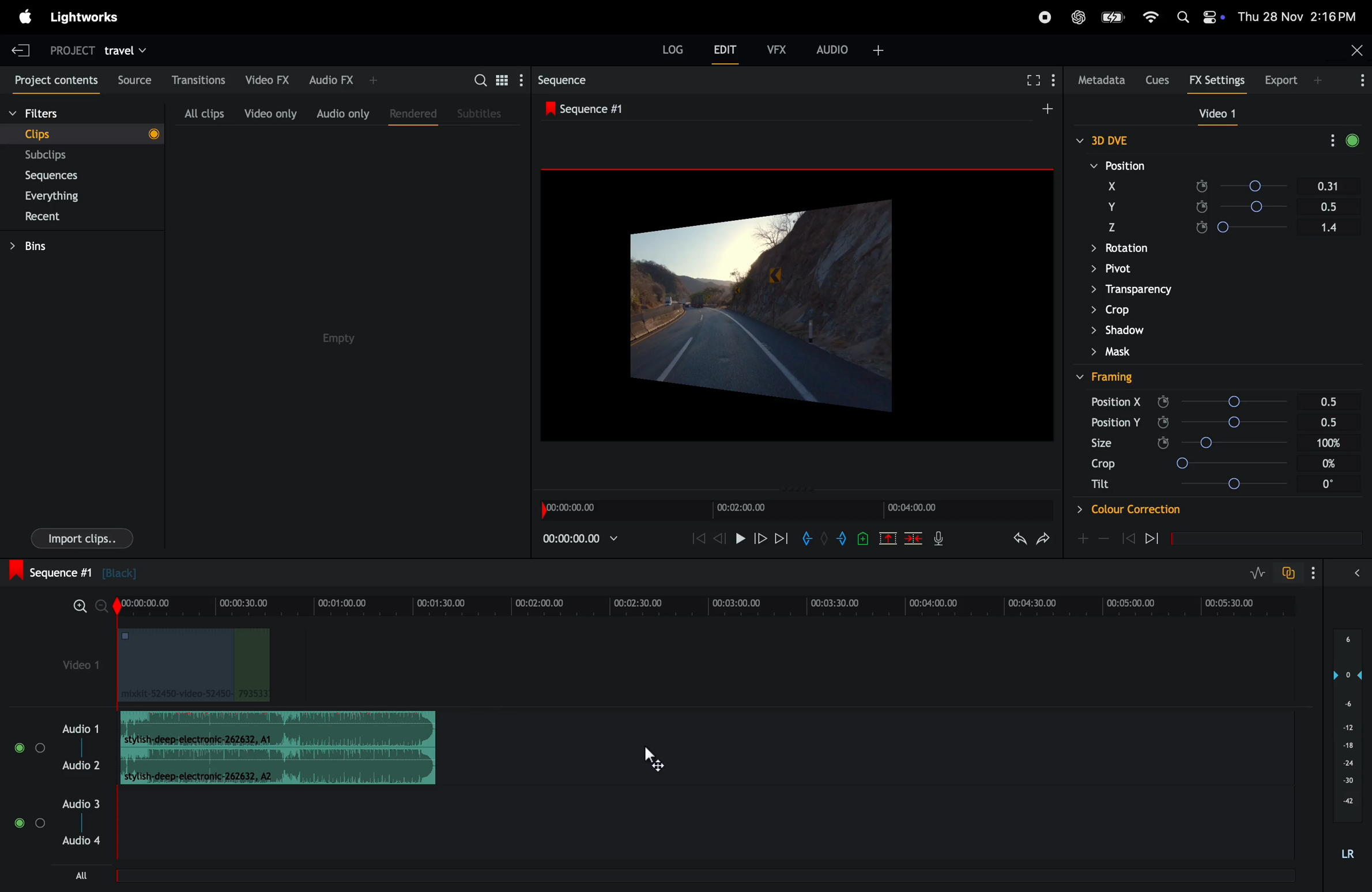 Image resolution: width=1372 pixels, height=892 pixels. Describe the element at coordinates (82, 610) in the screenshot. I see `zoom in zoom out` at that location.